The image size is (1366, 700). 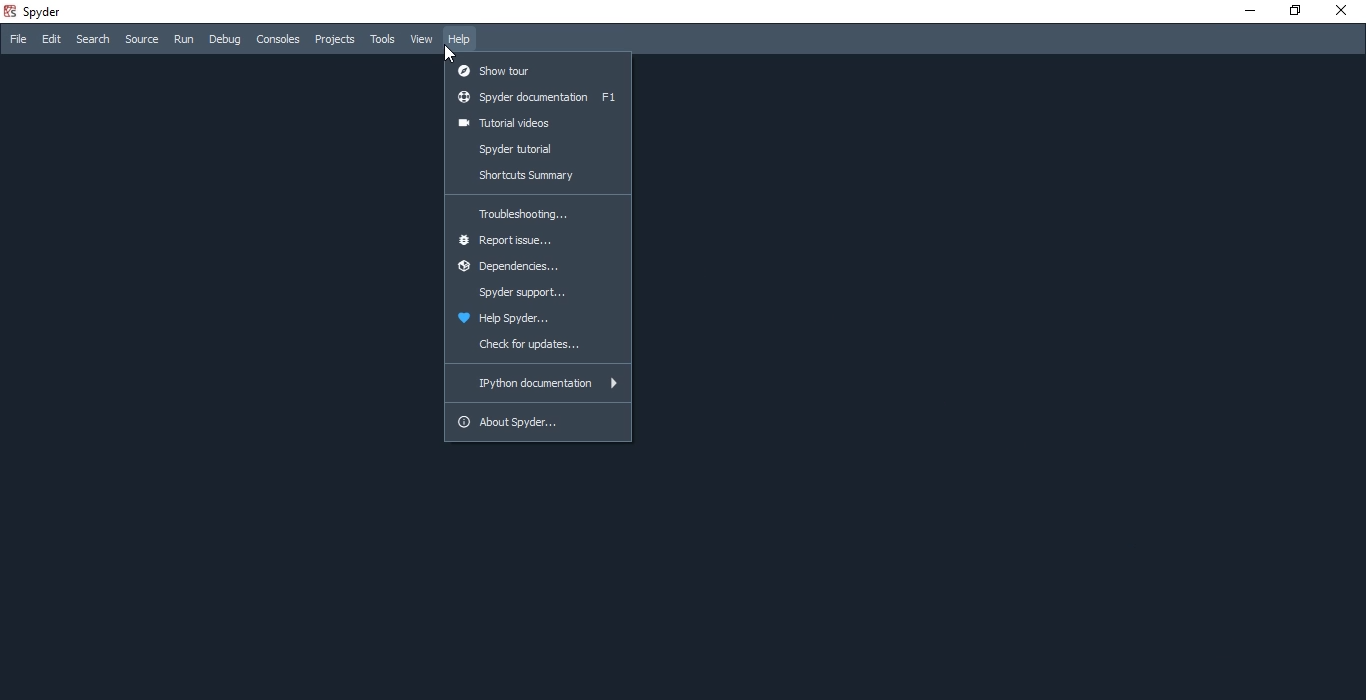 What do you see at coordinates (384, 40) in the screenshot?
I see `Tools` at bounding box center [384, 40].